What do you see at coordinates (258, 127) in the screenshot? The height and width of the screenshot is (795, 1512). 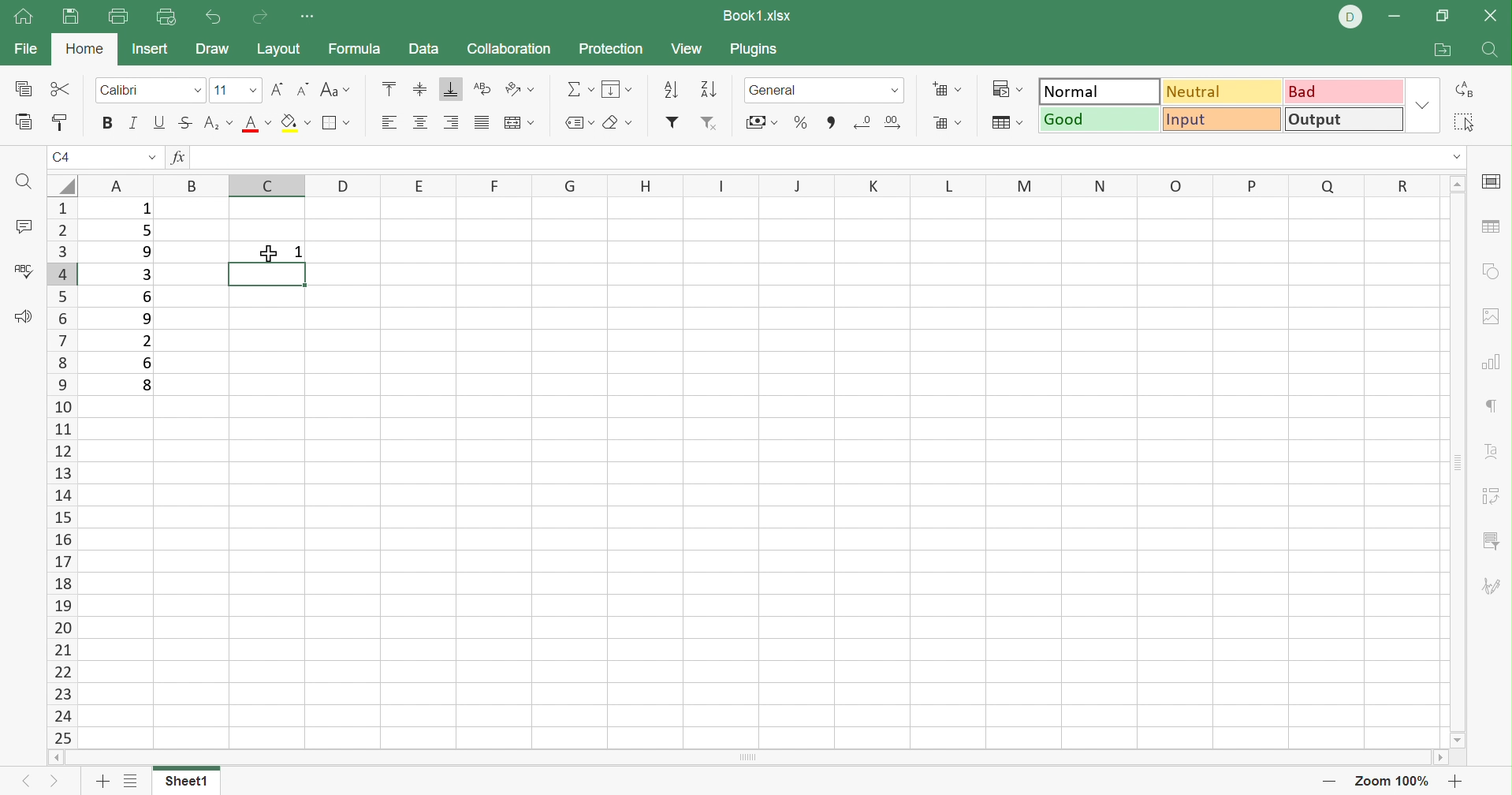 I see `Font color` at bounding box center [258, 127].